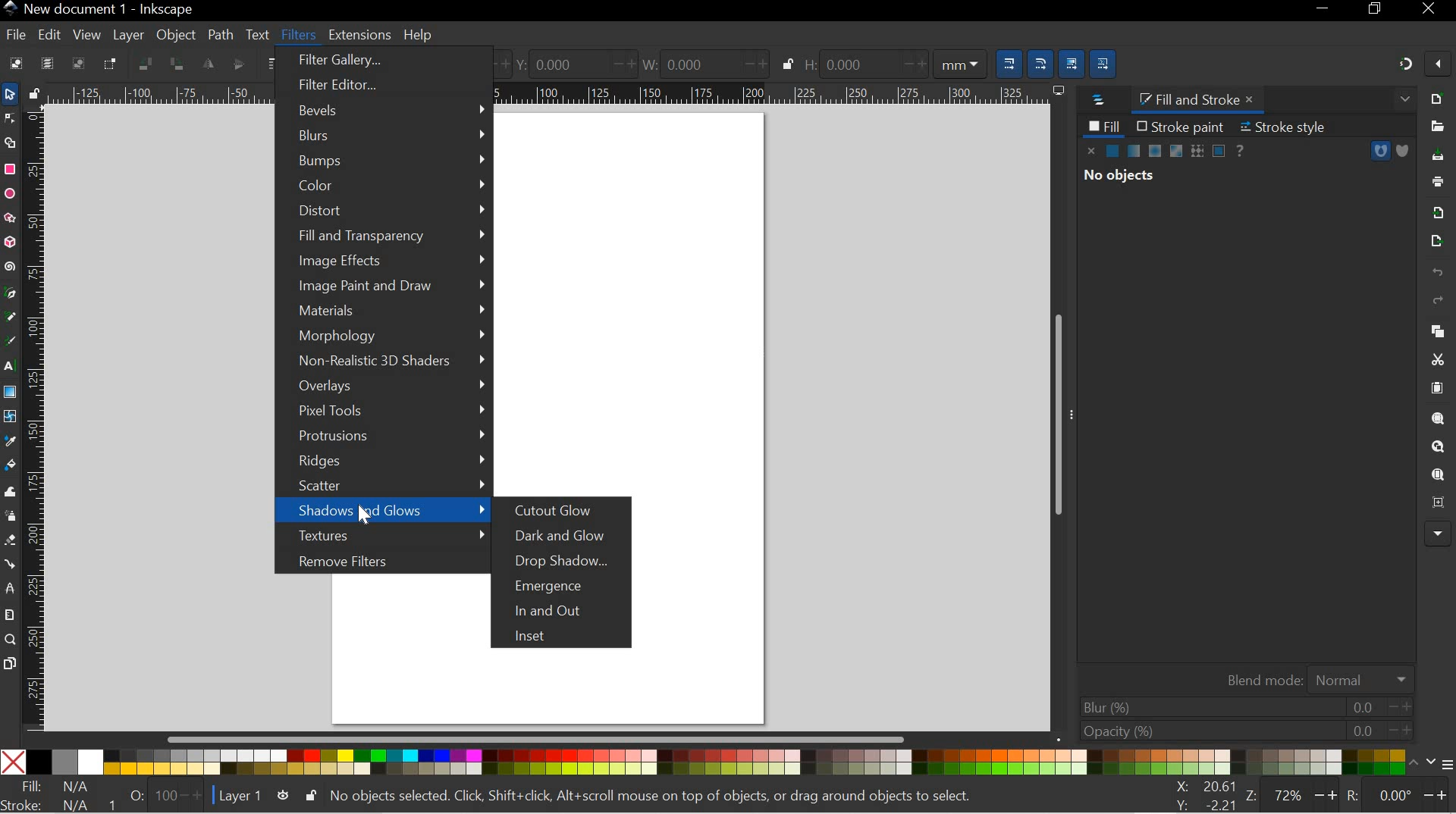  I want to click on IN AND OUT, so click(566, 609).